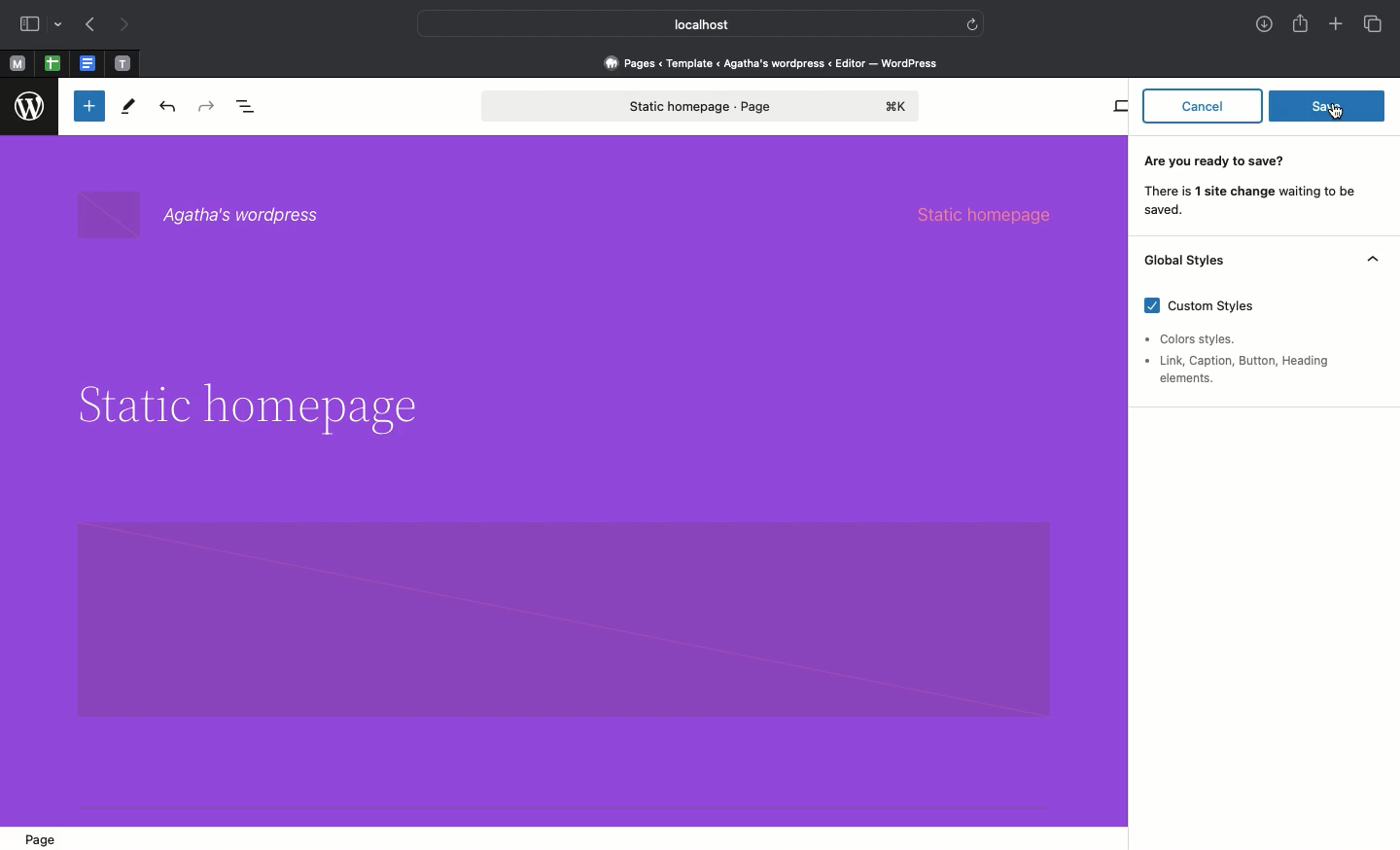 This screenshot has height=850, width=1400. Describe the element at coordinates (167, 108) in the screenshot. I see `Undo` at that location.